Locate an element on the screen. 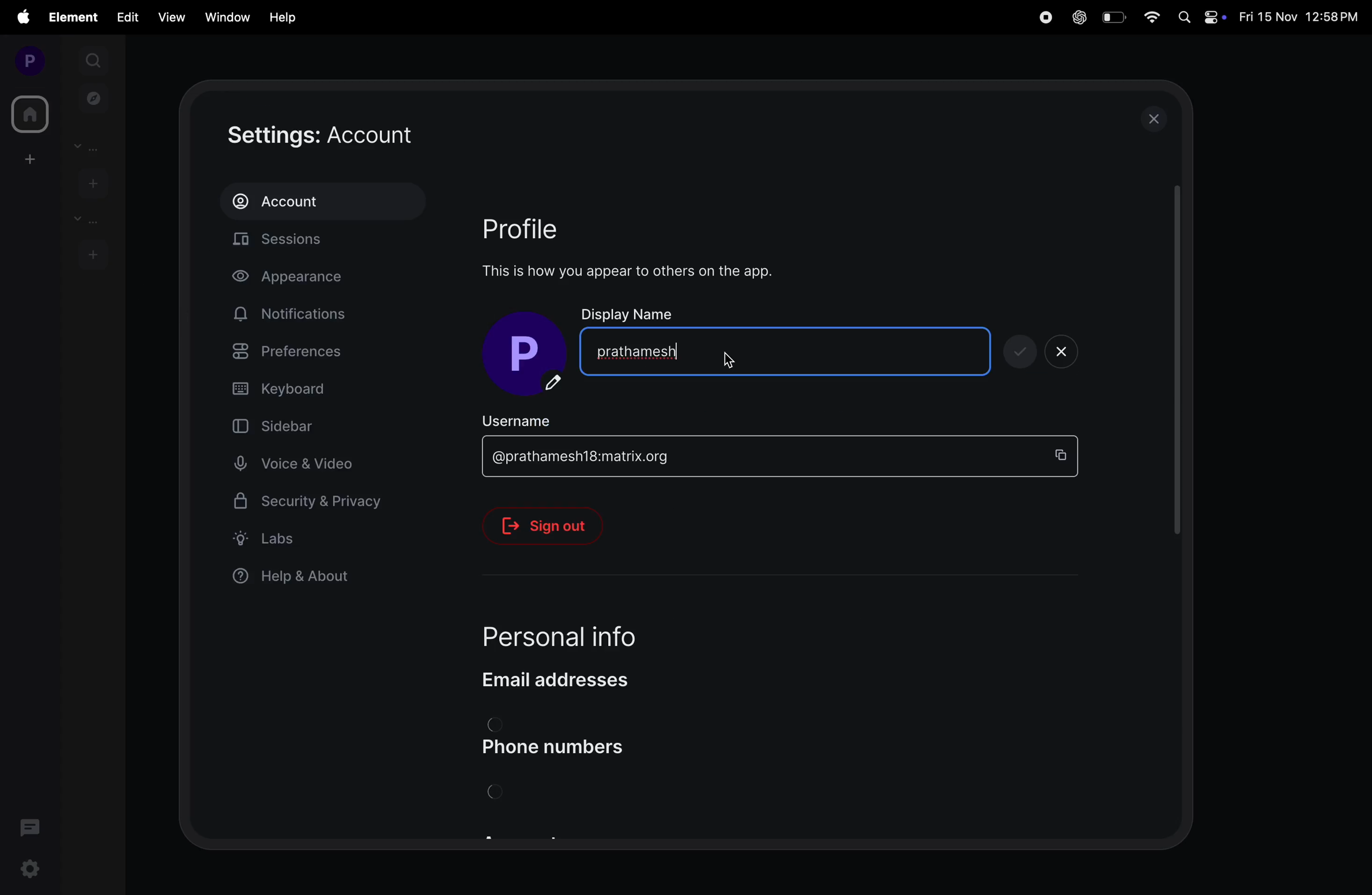 This screenshot has height=895, width=1372. security and privacy is located at coordinates (309, 505).